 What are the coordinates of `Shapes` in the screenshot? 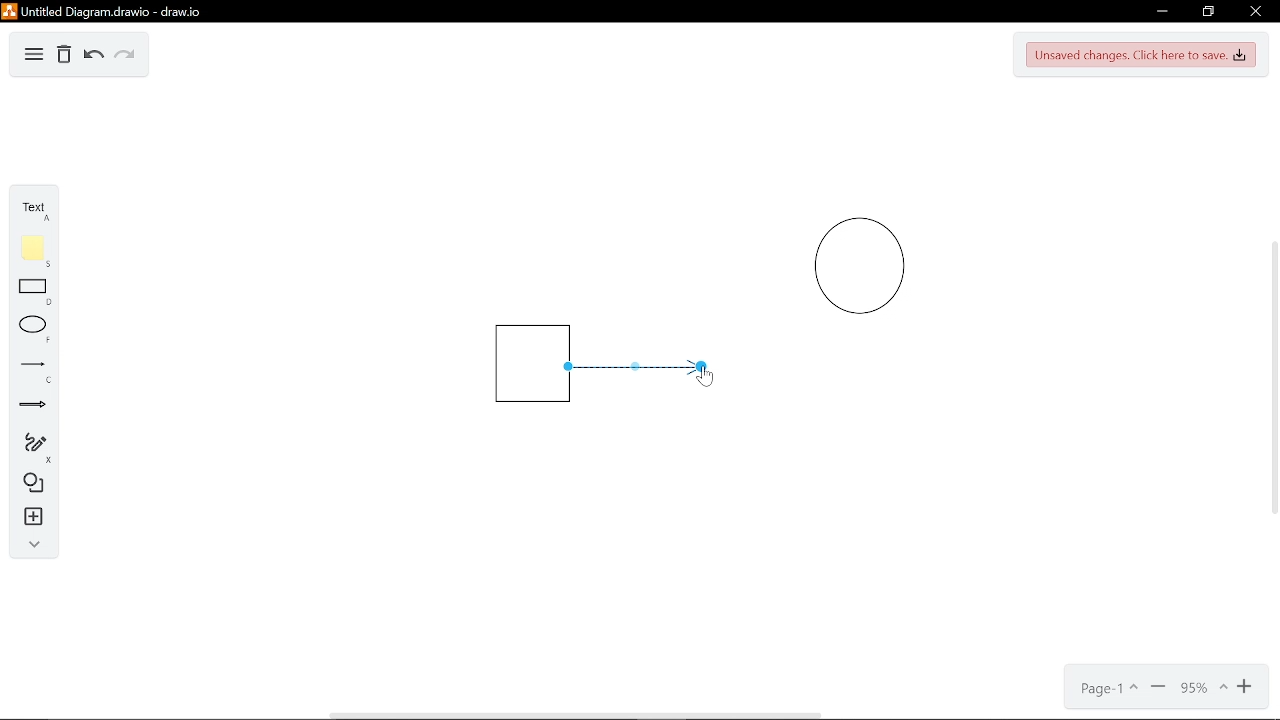 It's located at (26, 483).